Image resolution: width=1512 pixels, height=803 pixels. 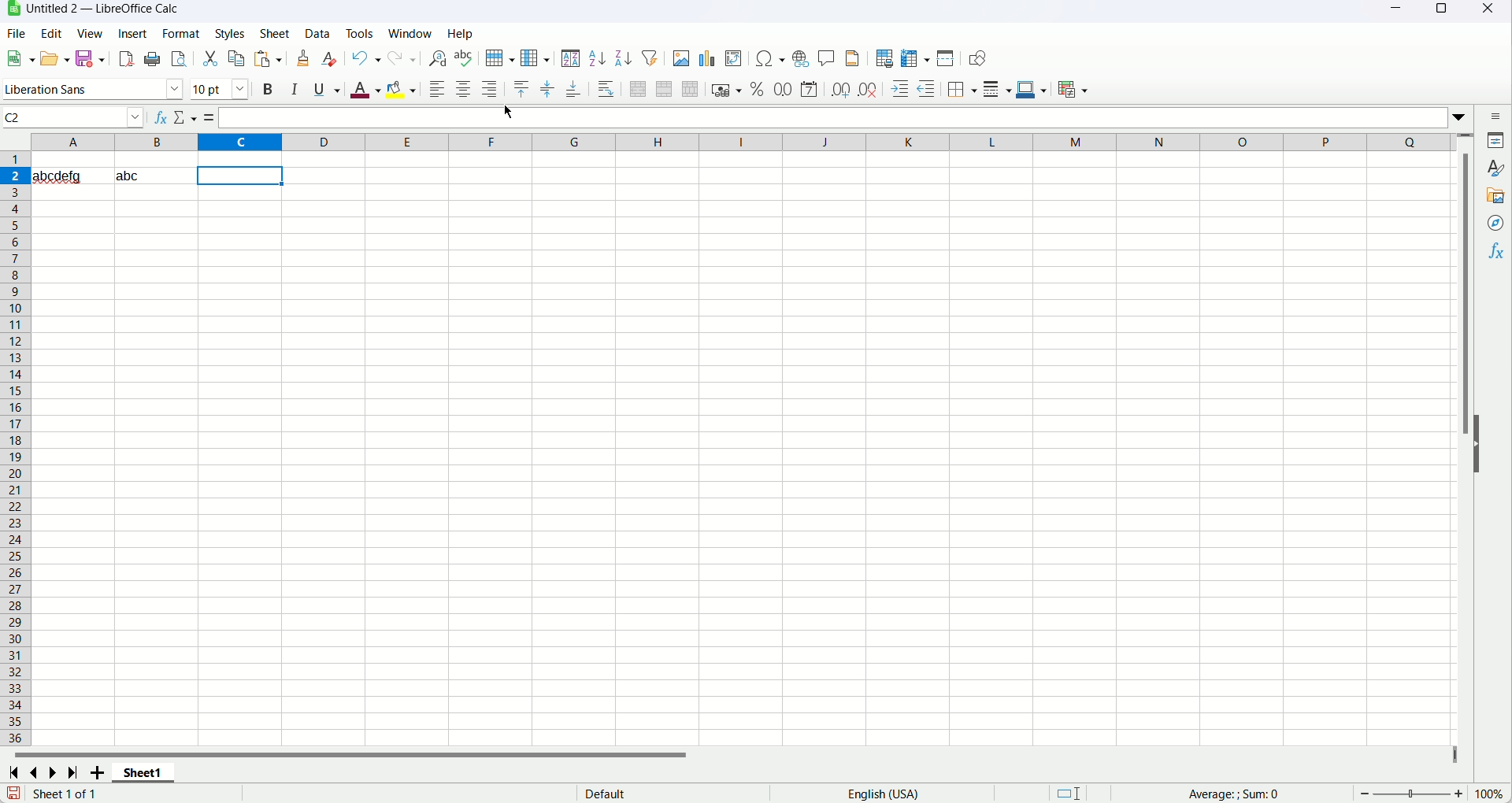 I want to click on export directly as PDF, so click(x=125, y=59).